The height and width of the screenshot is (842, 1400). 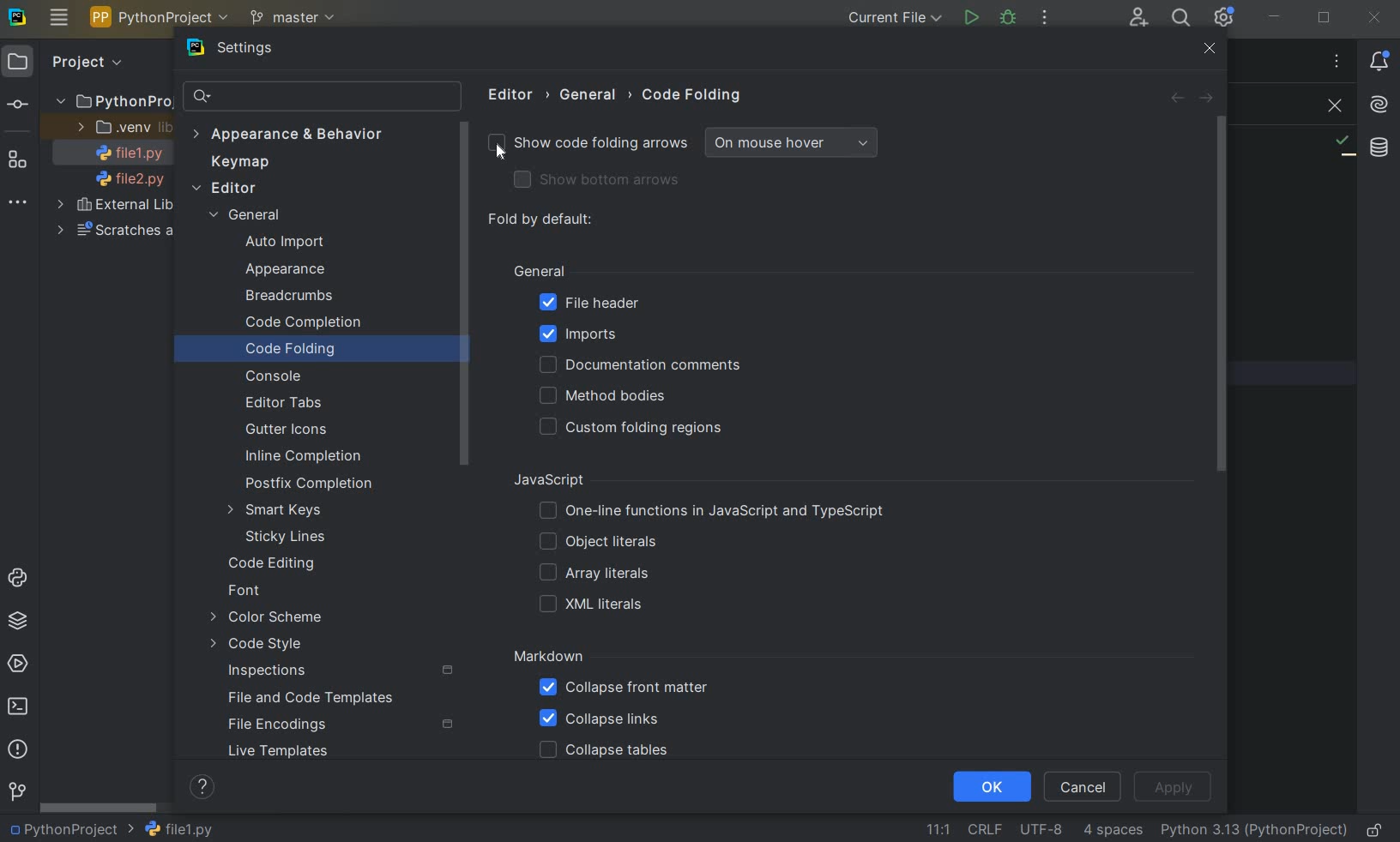 What do you see at coordinates (59, 18) in the screenshot?
I see `MAIN MENU` at bounding box center [59, 18].